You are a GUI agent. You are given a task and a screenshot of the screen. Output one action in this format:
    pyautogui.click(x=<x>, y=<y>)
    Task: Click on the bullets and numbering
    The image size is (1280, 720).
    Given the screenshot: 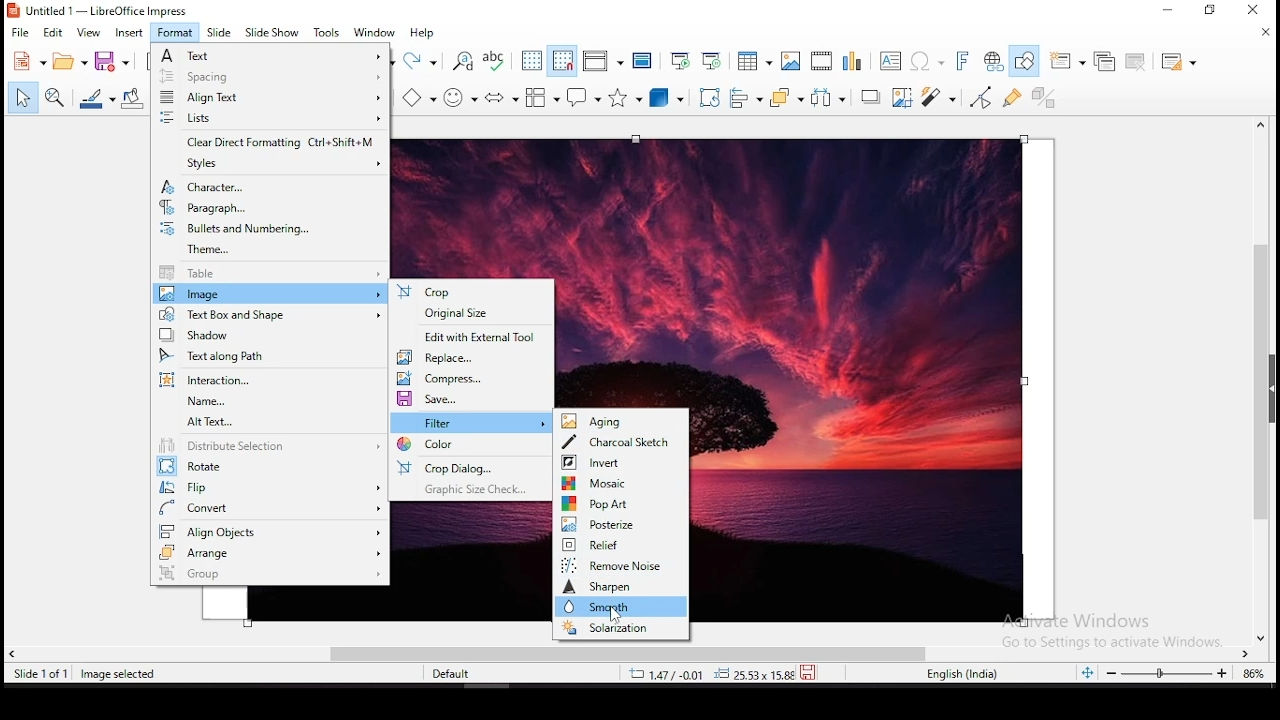 What is the action you would take?
    pyautogui.click(x=270, y=229)
    